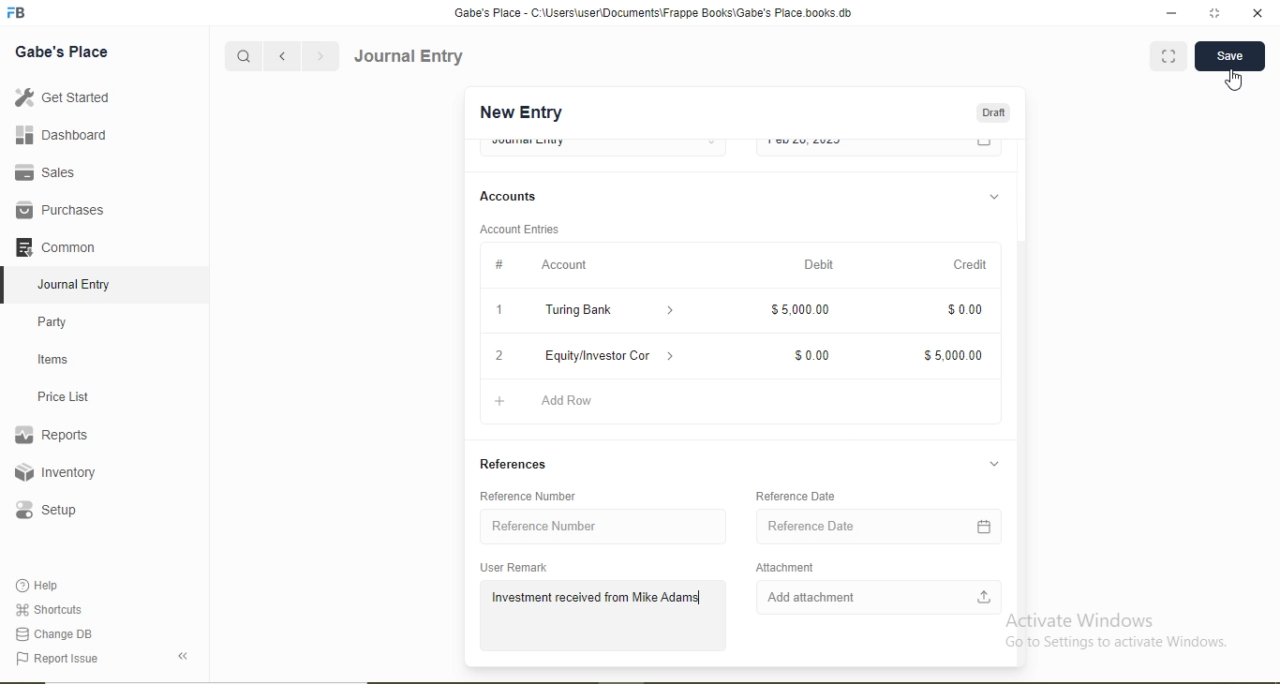  Describe the element at coordinates (671, 356) in the screenshot. I see `Dropdown` at that location.